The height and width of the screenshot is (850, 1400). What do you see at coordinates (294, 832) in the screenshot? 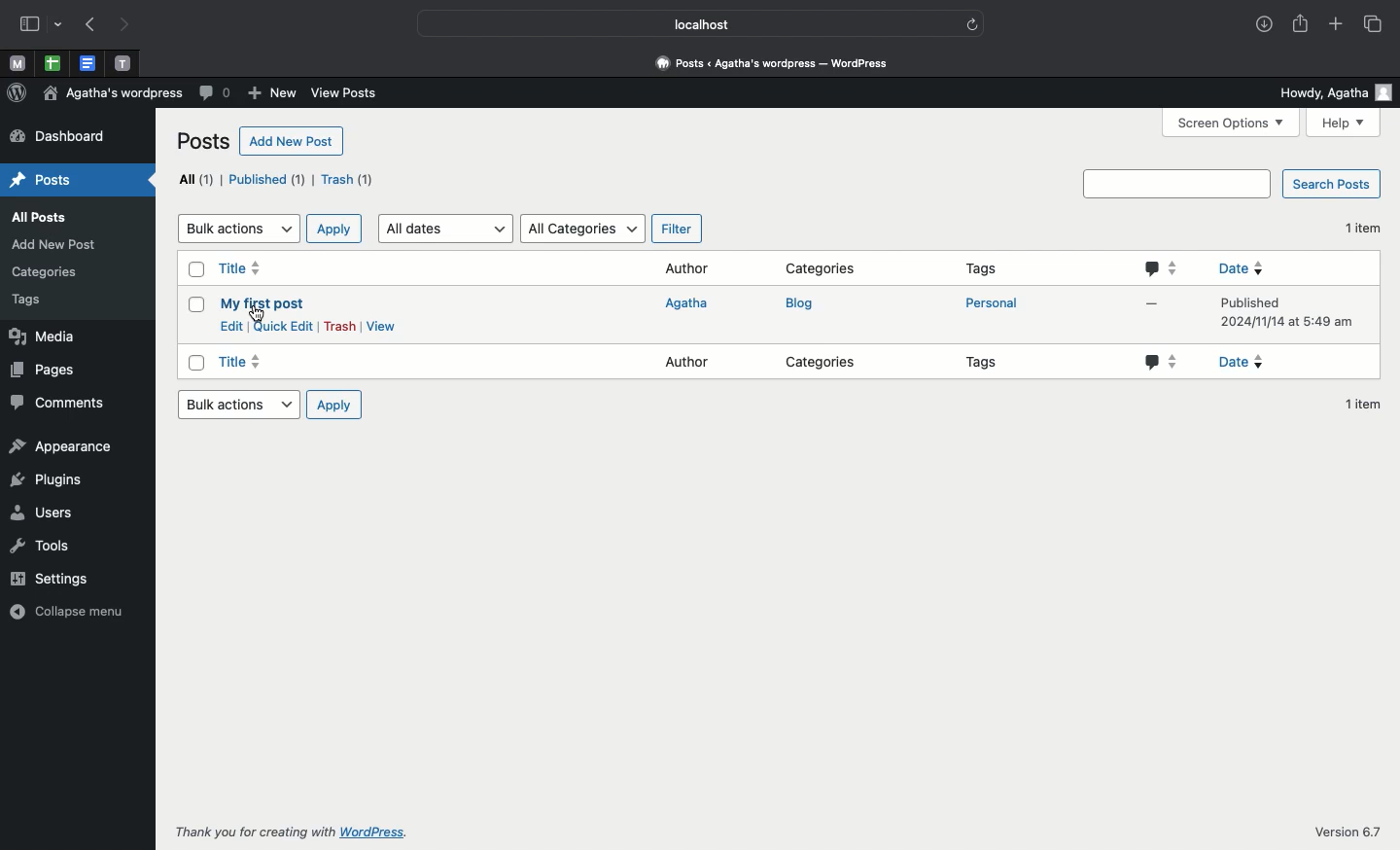
I see `Thank you for creating with wordpress` at bounding box center [294, 832].